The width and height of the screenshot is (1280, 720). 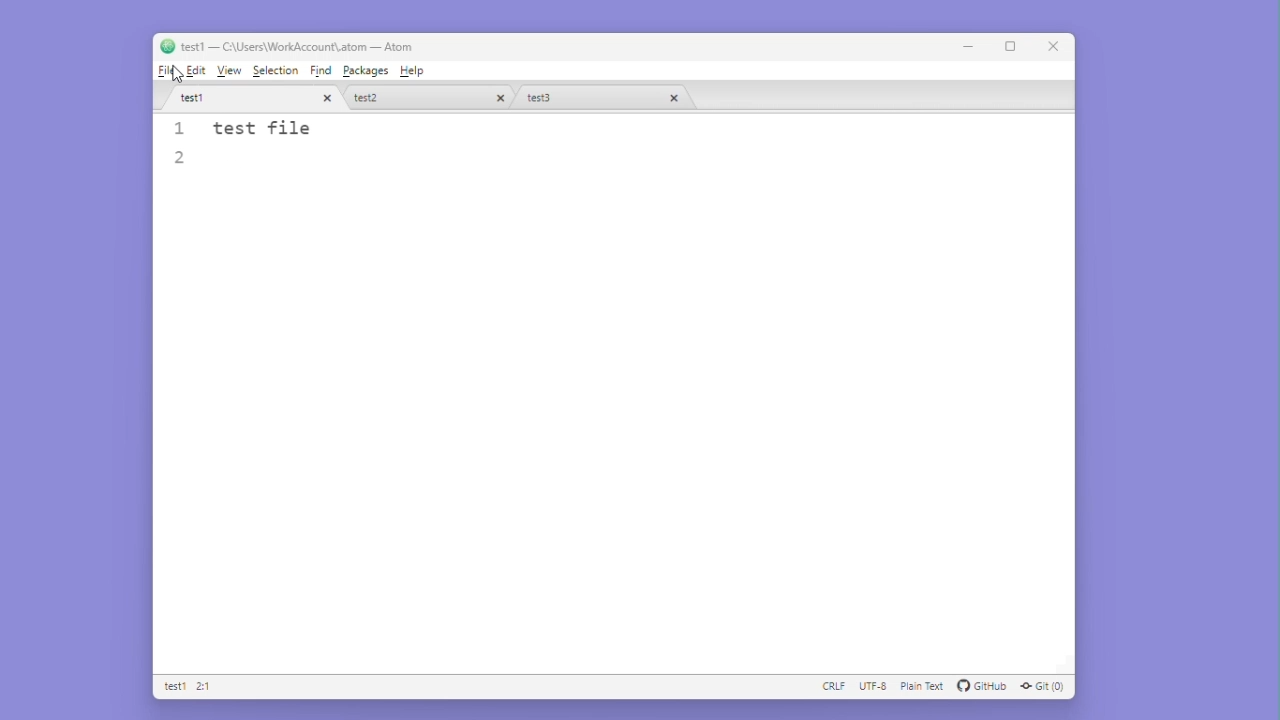 What do you see at coordinates (174, 686) in the screenshot?
I see `Test 1` at bounding box center [174, 686].